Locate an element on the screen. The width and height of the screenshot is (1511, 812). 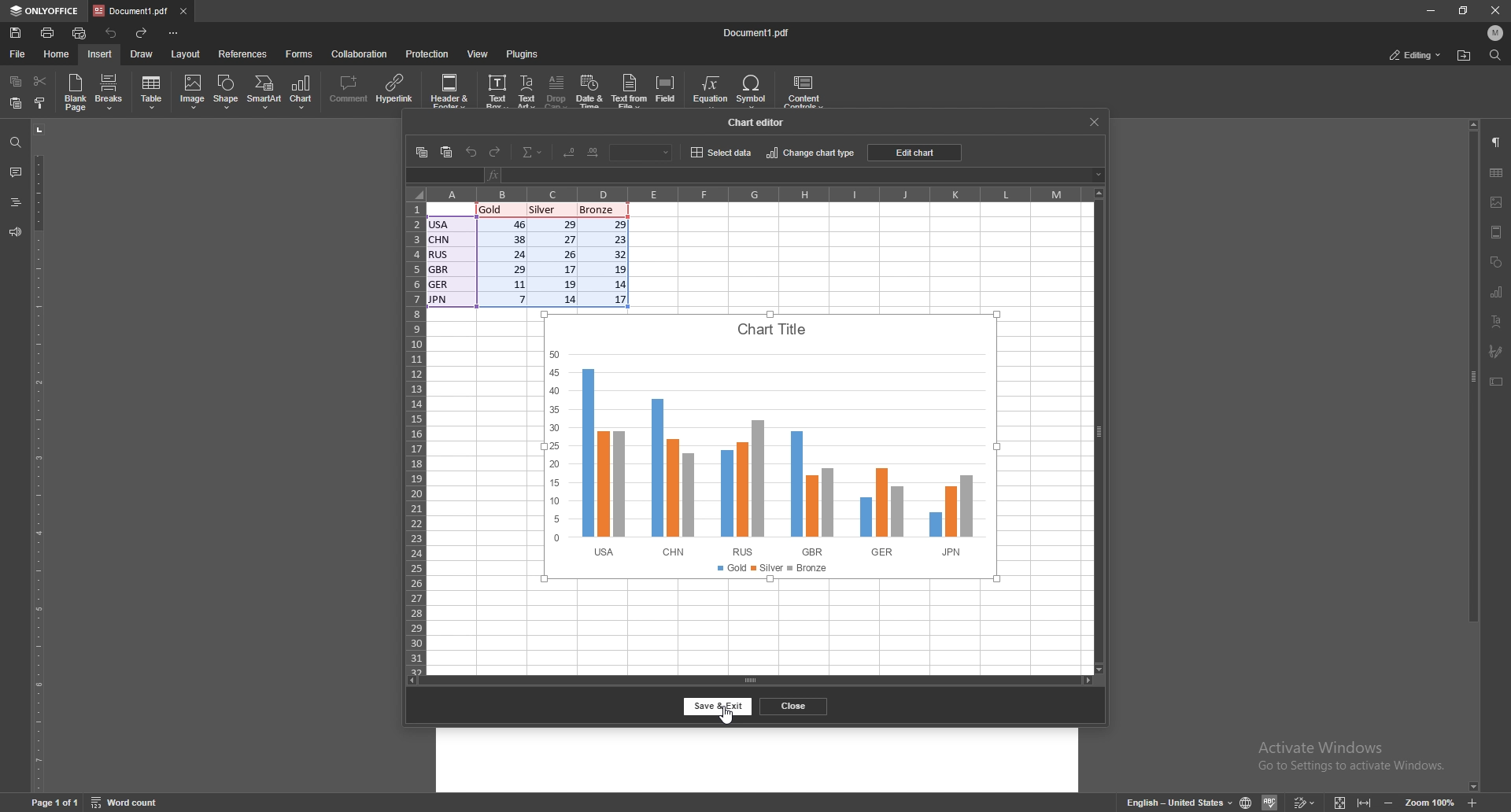
bronze is located at coordinates (599, 209).